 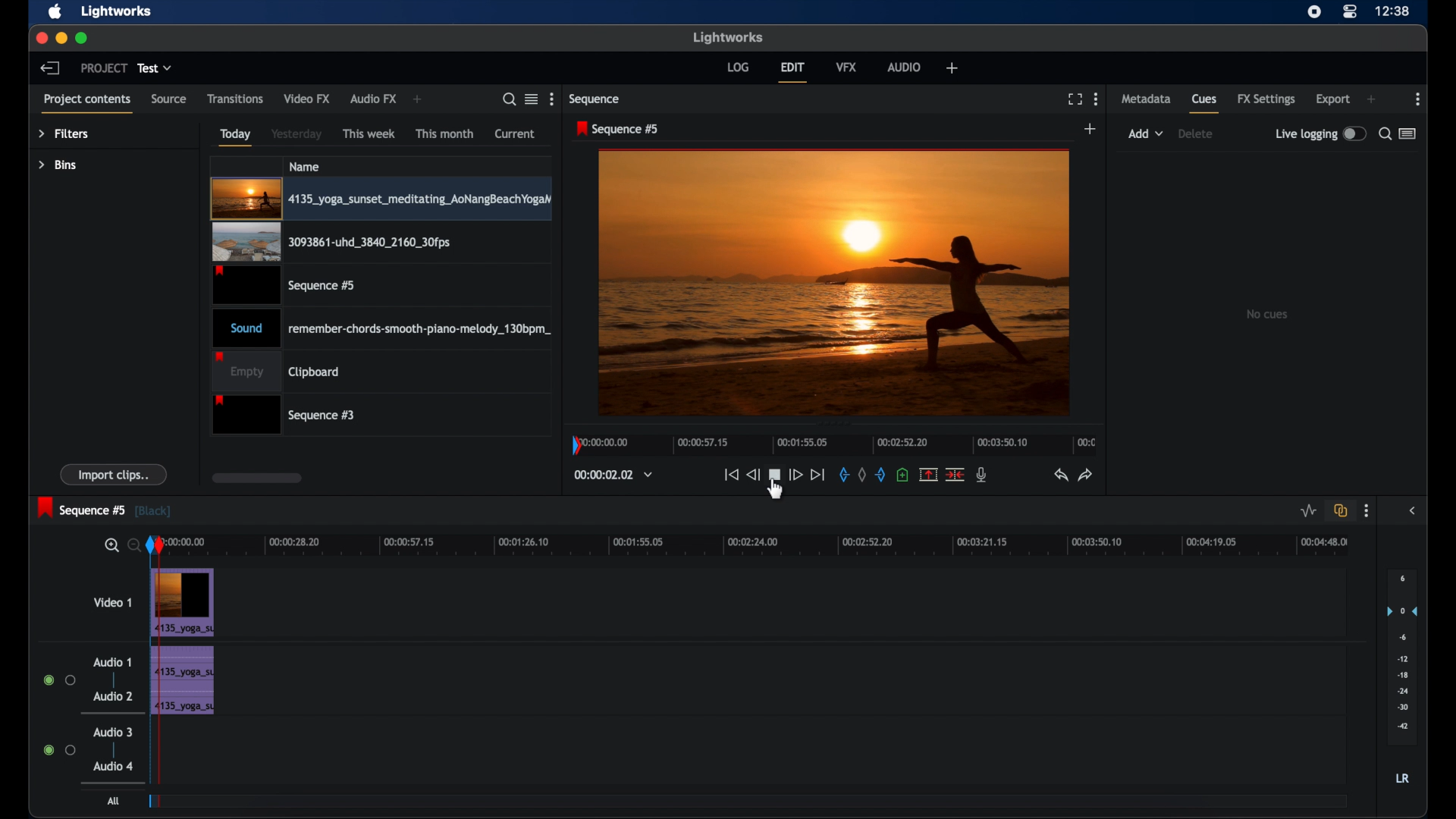 I want to click on video clip, so click(x=282, y=286).